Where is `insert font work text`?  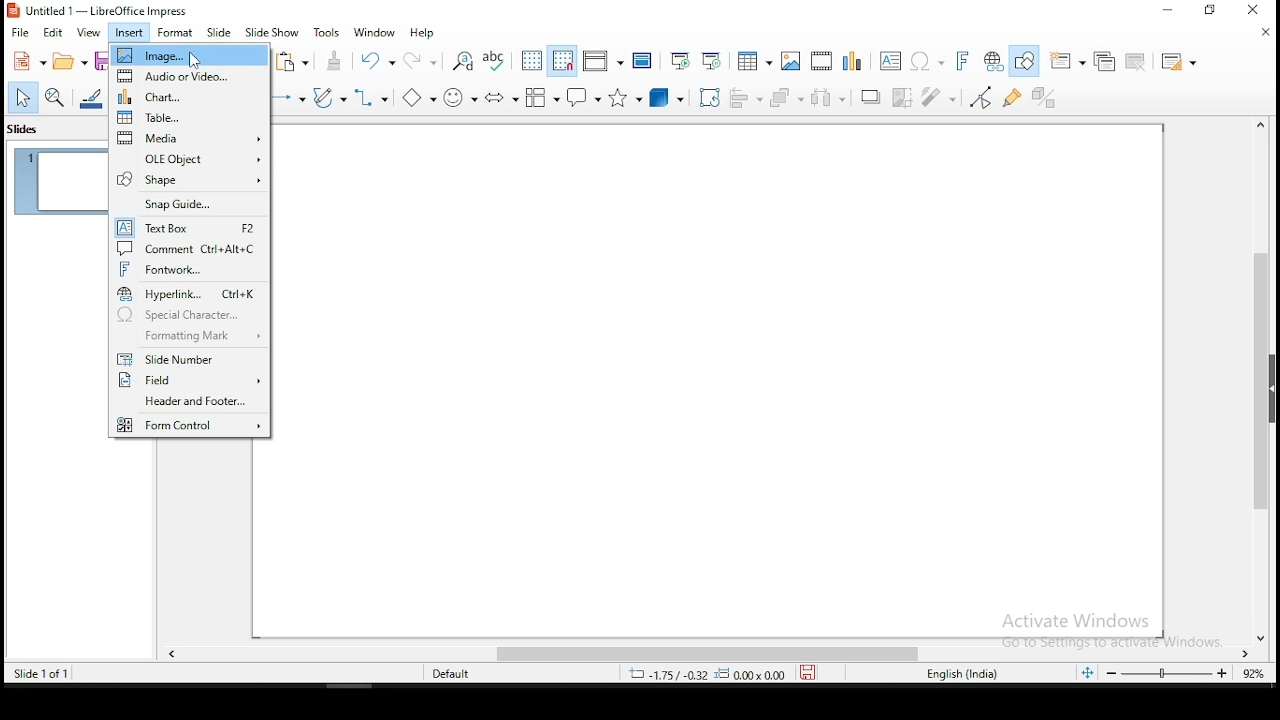 insert font work text is located at coordinates (963, 60).